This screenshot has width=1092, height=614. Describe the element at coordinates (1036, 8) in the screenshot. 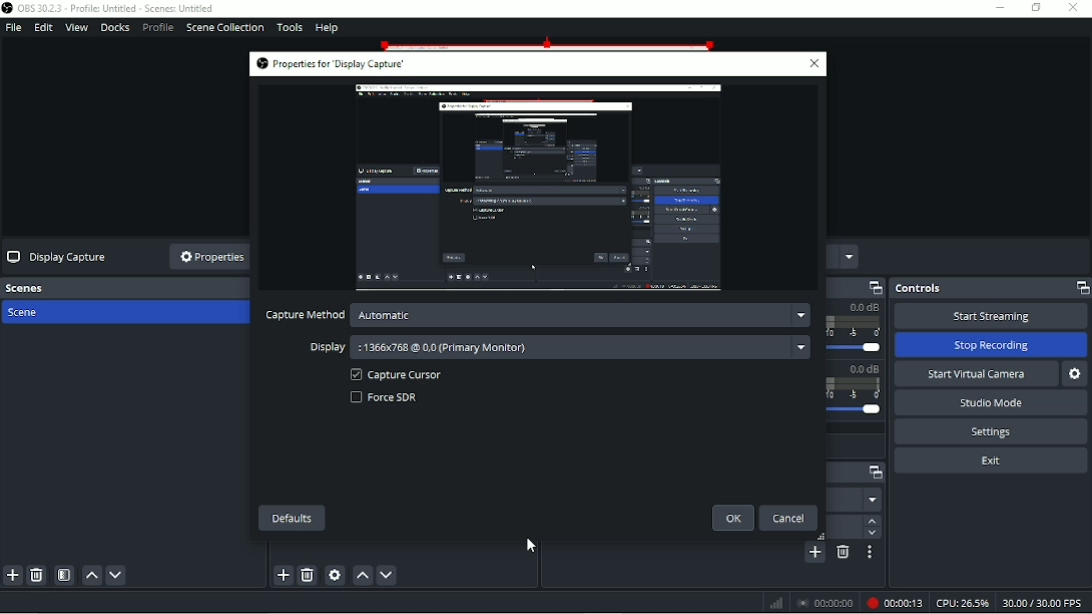

I see `Restore down` at that location.